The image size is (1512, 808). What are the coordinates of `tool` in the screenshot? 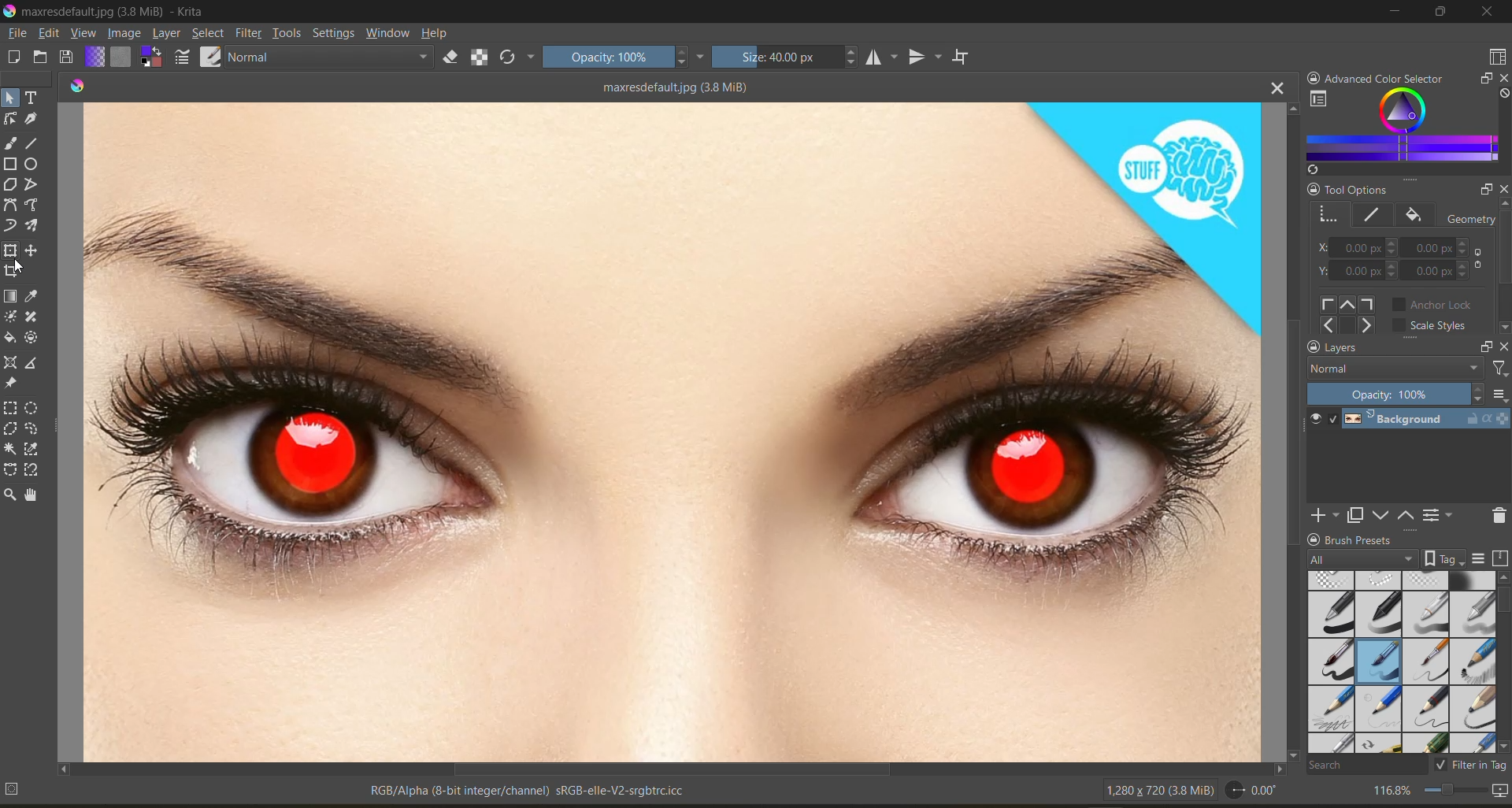 It's located at (12, 97).